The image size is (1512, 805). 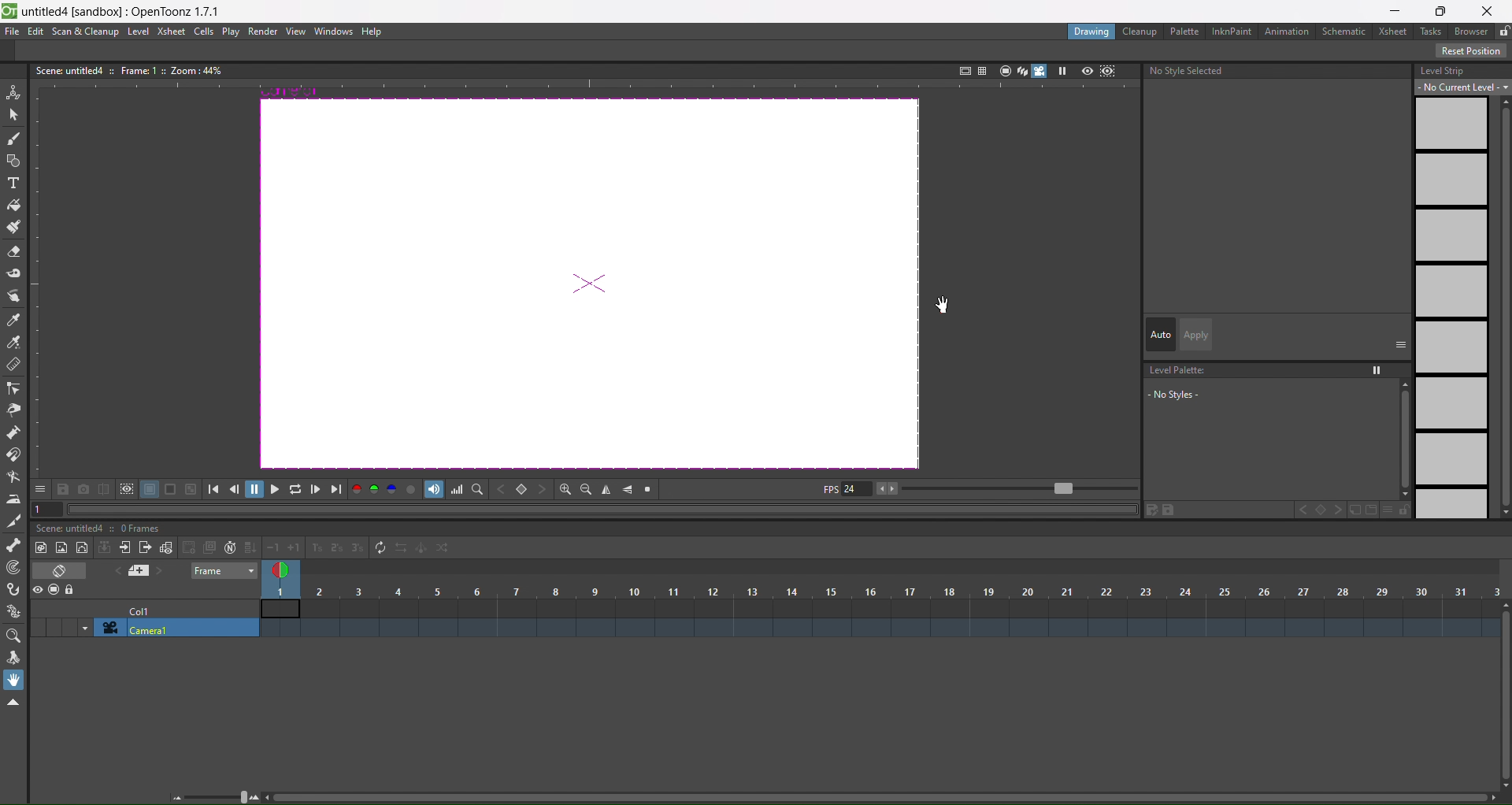 What do you see at coordinates (14, 273) in the screenshot?
I see `tape tool` at bounding box center [14, 273].